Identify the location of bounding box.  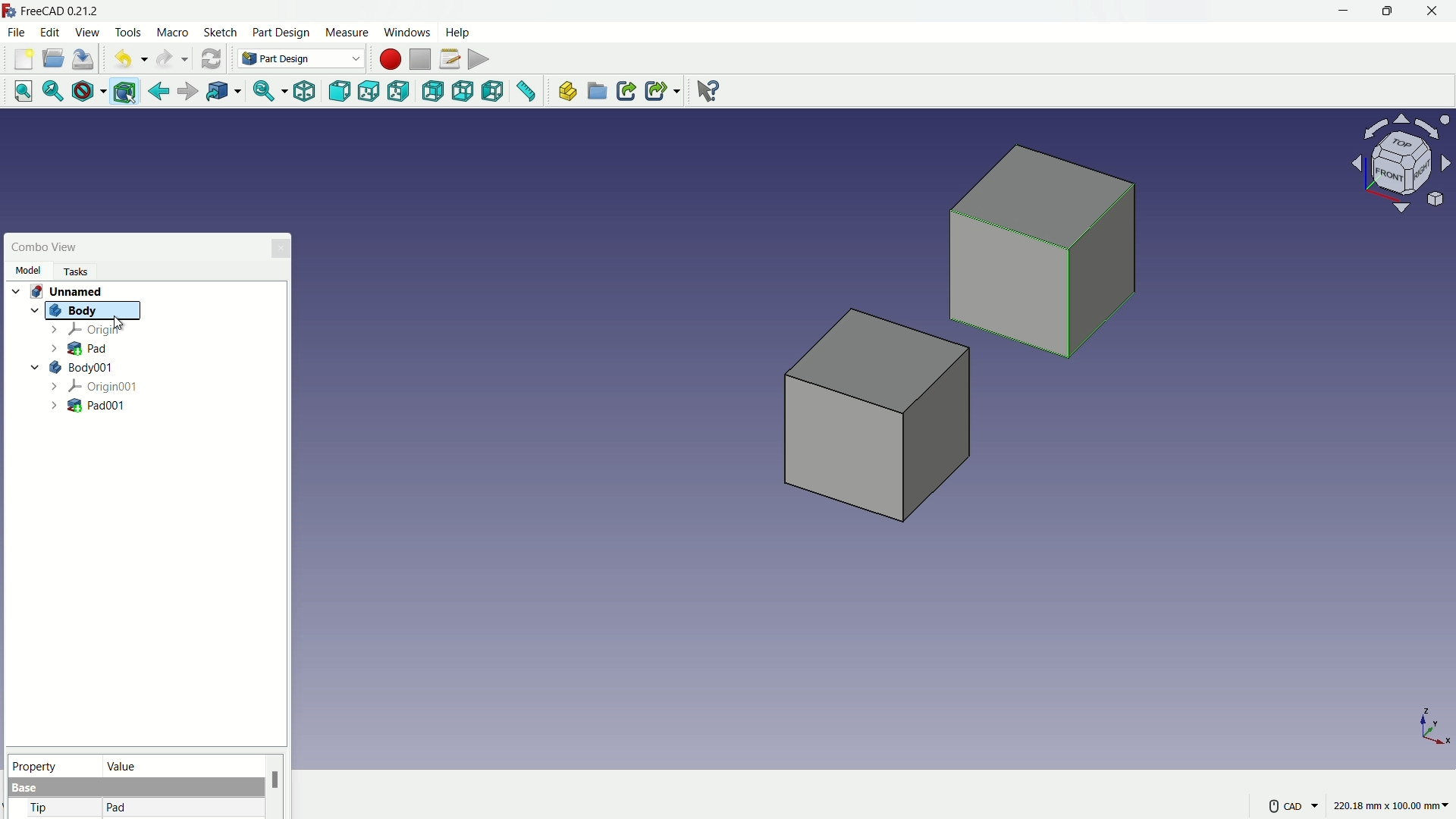
(127, 93).